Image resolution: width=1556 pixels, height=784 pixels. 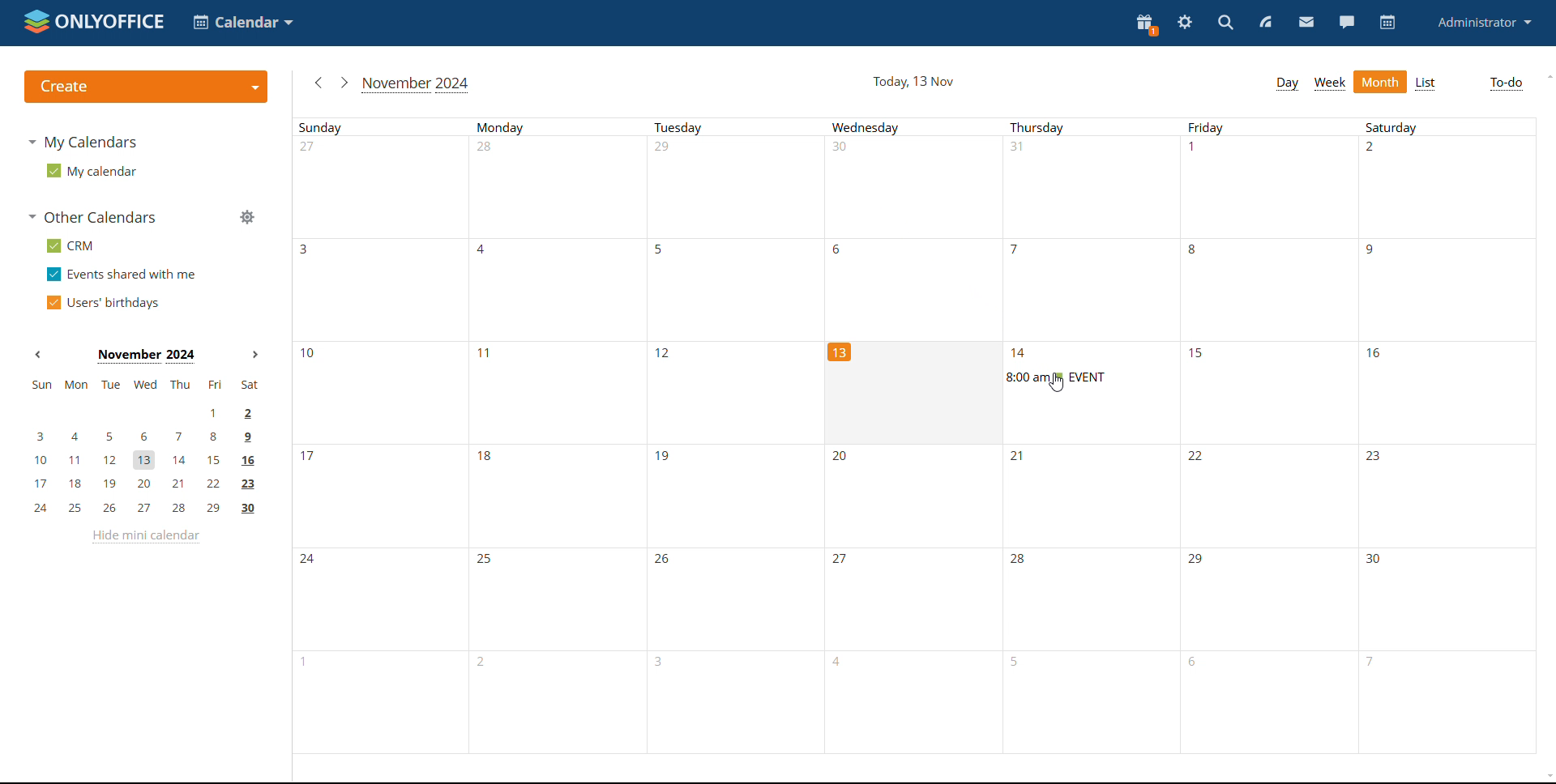 What do you see at coordinates (94, 217) in the screenshot?
I see `other calendars` at bounding box center [94, 217].